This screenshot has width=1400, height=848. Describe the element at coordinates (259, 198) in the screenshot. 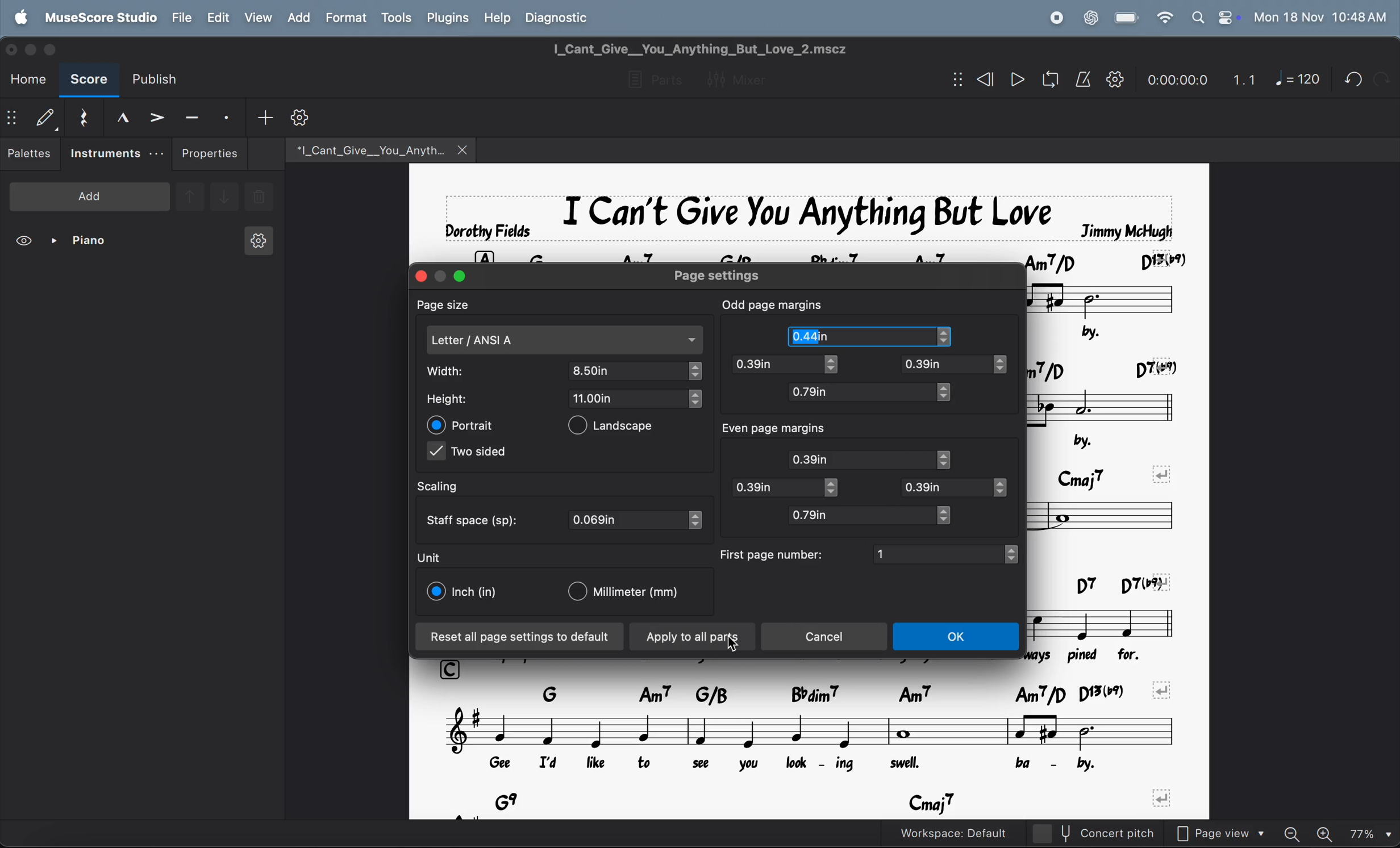

I see `delete` at that location.